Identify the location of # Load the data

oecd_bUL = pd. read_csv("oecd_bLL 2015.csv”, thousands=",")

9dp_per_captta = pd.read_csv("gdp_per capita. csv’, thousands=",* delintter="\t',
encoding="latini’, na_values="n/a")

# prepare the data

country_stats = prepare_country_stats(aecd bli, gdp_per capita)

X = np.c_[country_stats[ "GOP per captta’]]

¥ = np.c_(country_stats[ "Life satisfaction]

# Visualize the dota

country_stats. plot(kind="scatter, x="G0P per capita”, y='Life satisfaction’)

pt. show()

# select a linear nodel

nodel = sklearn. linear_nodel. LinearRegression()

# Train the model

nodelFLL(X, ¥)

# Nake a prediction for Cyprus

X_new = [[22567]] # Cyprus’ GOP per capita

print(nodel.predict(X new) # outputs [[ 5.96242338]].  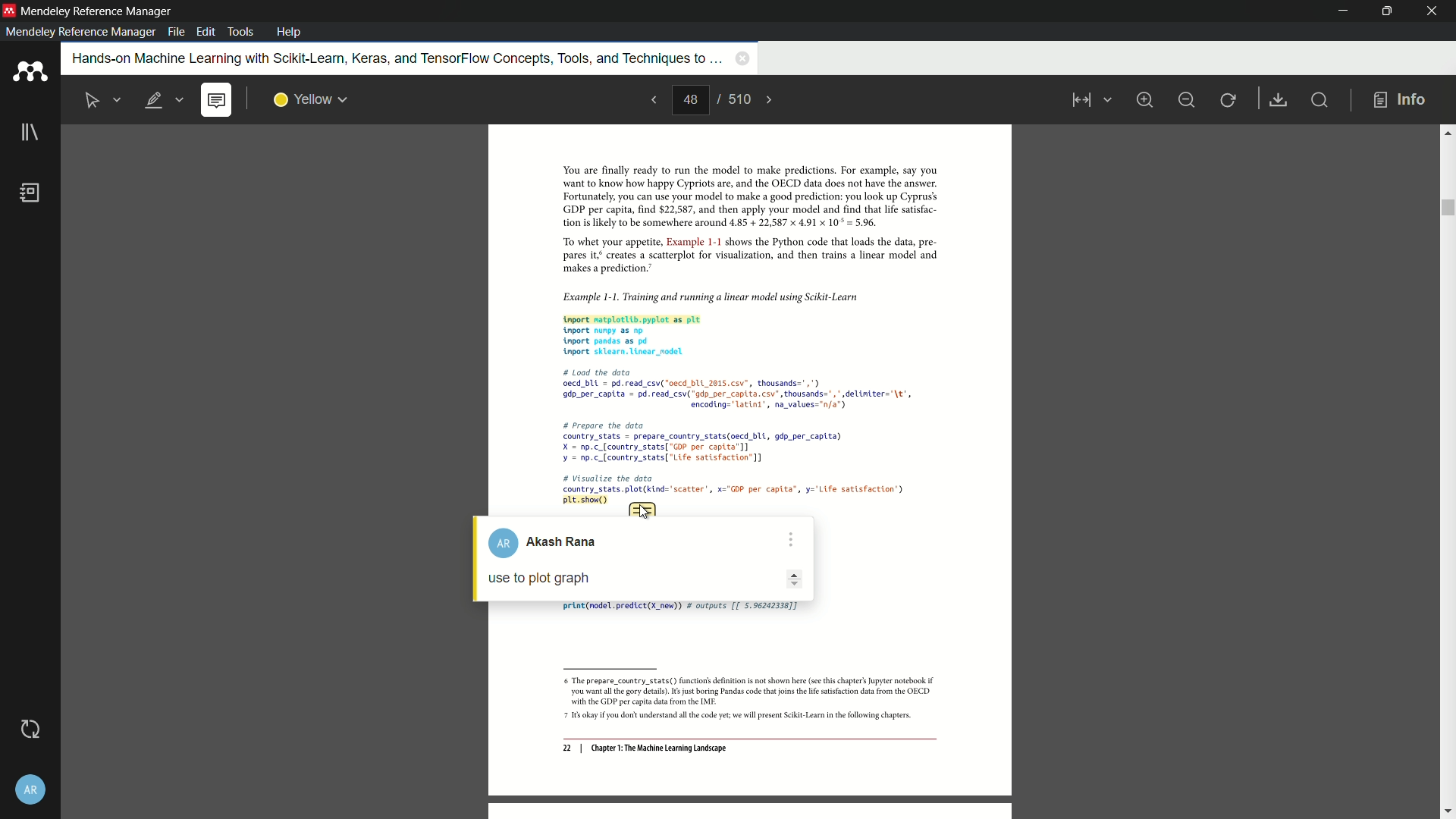
(741, 434).